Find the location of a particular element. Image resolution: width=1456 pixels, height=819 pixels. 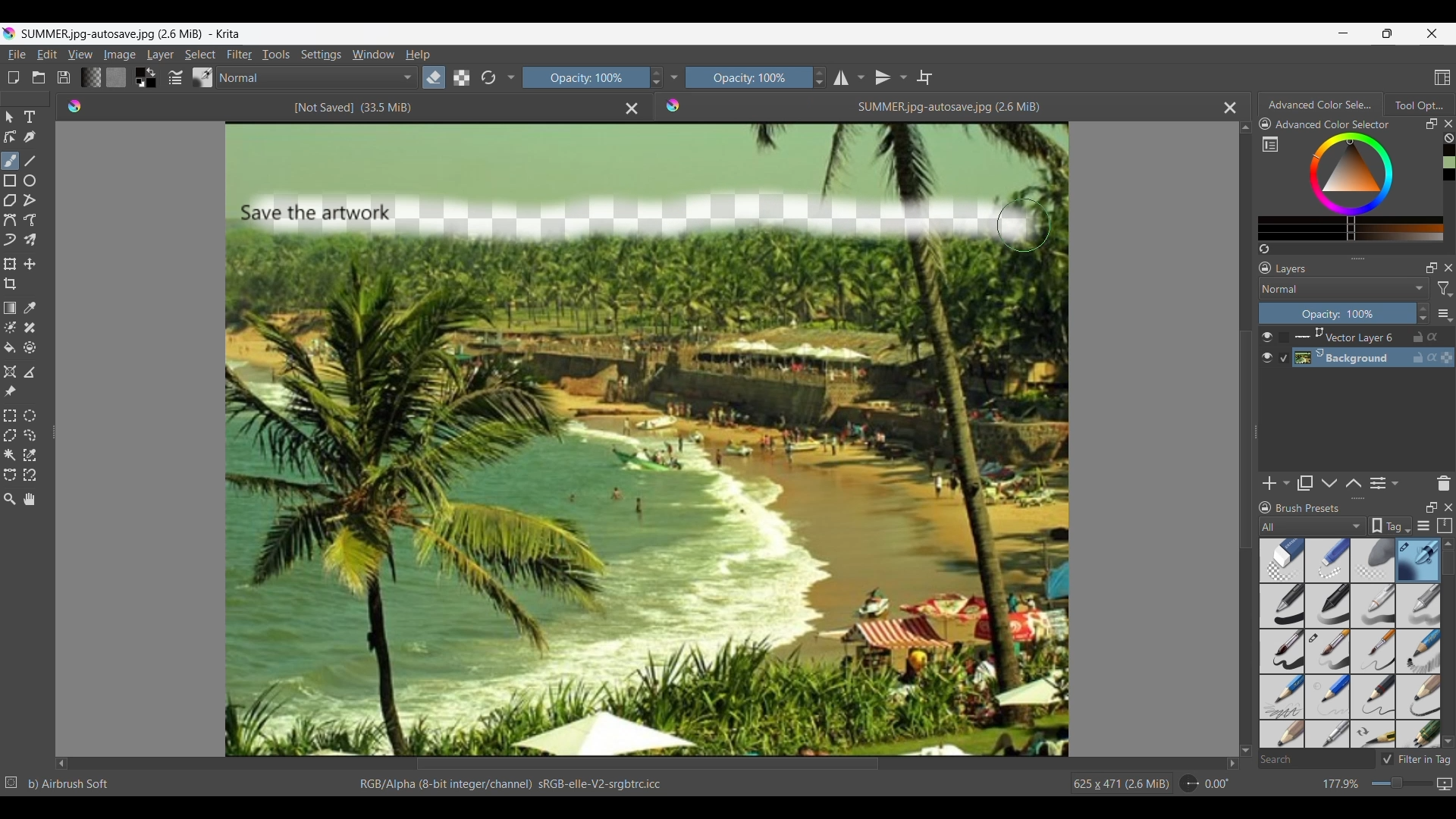

Interchange foreground and background colors is located at coordinates (153, 72).